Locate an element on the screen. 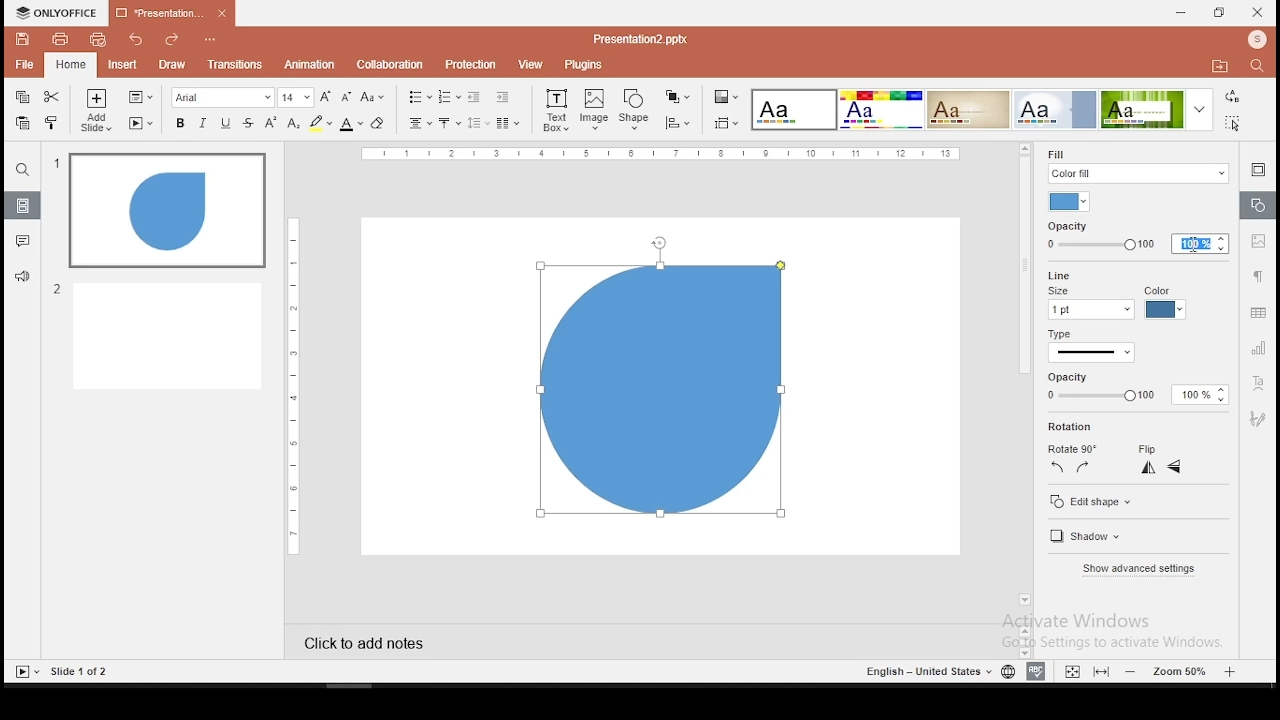  font size is located at coordinates (297, 98).